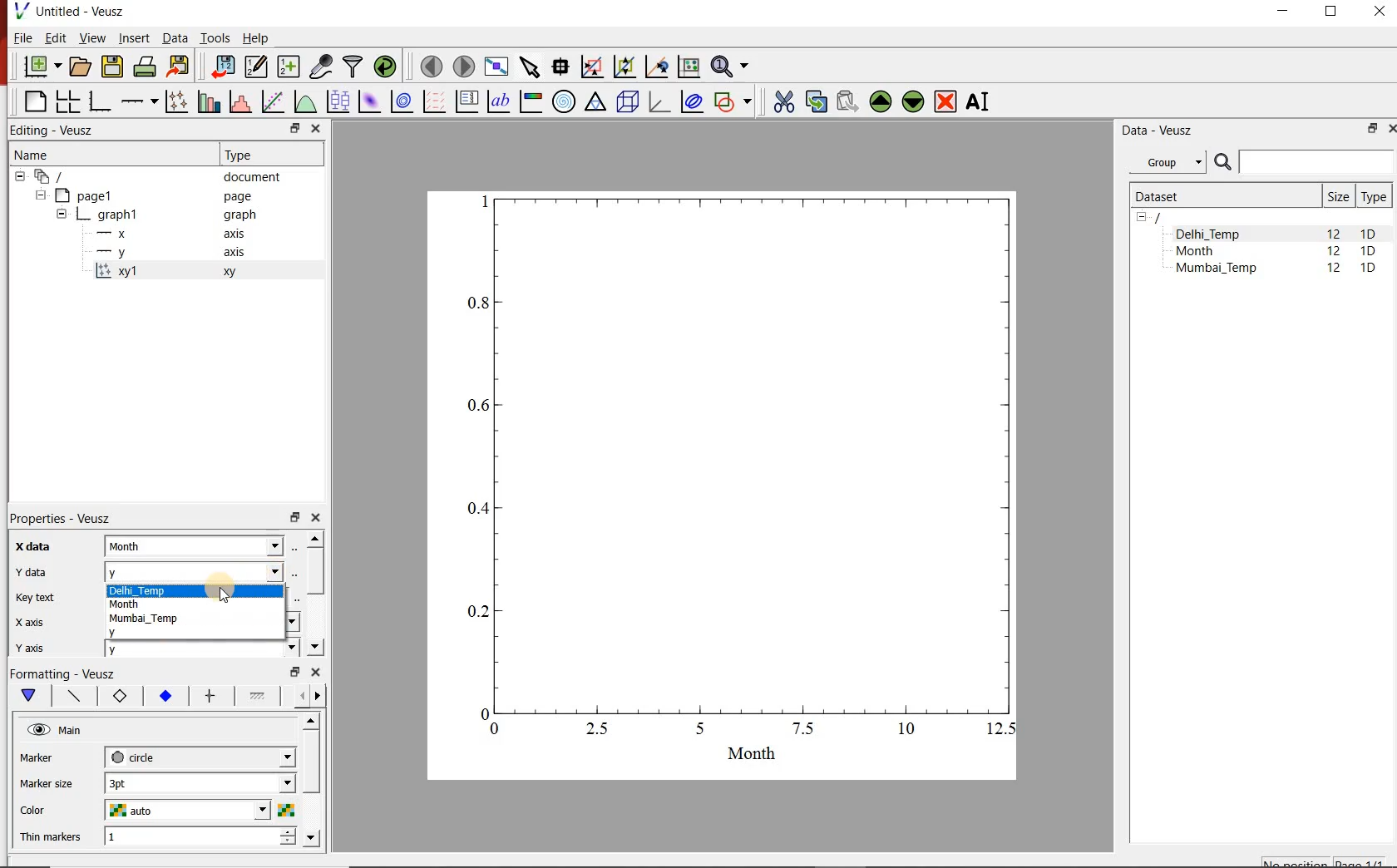 Image resolution: width=1397 pixels, height=868 pixels. What do you see at coordinates (595, 103) in the screenshot?
I see `Ternary graph` at bounding box center [595, 103].